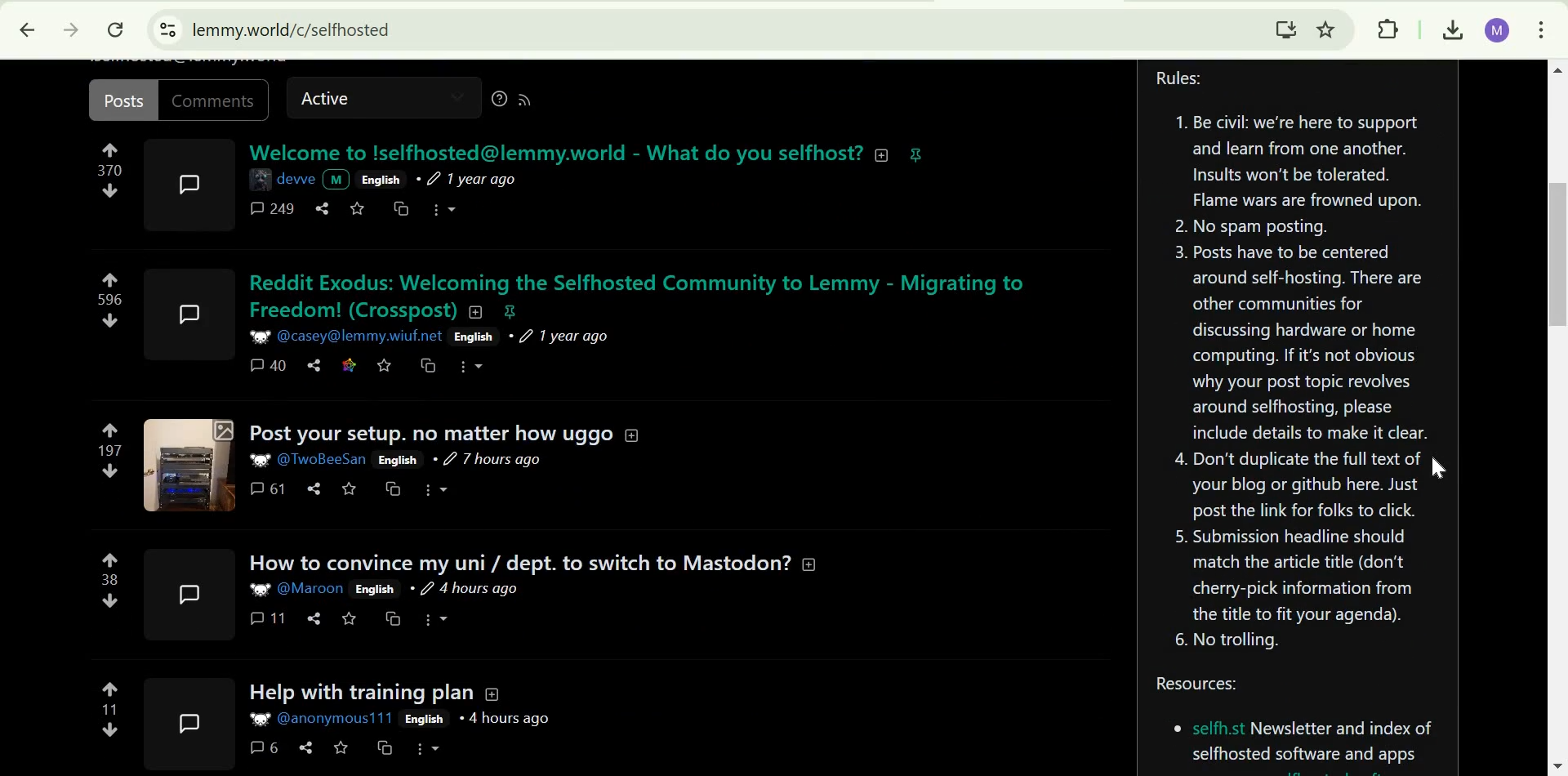 Image resolution: width=1568 pixels, height=776 pixels. I want to click on more, so click(434, 618).